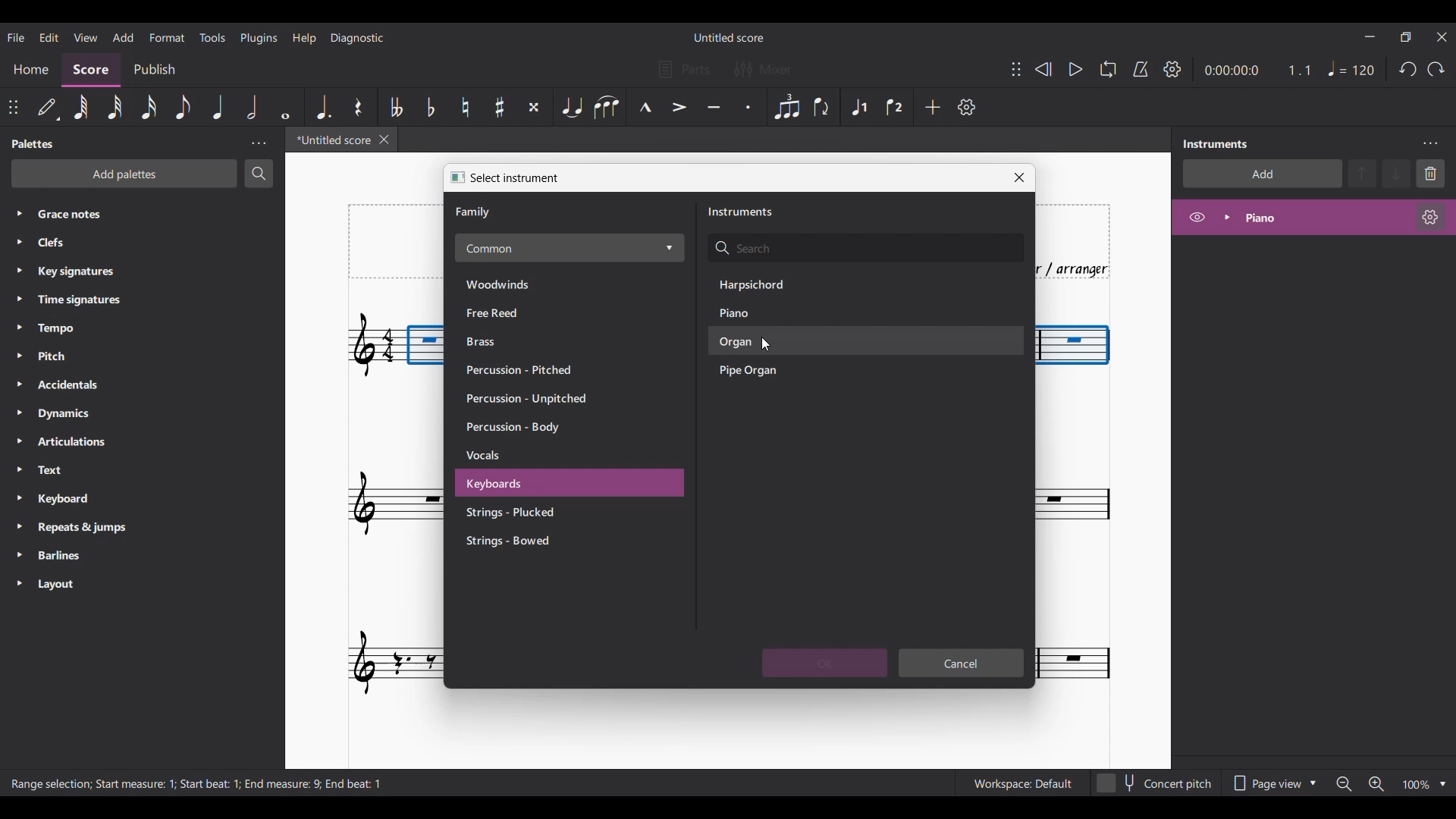  I want to click on View menu, so click(84, 36).